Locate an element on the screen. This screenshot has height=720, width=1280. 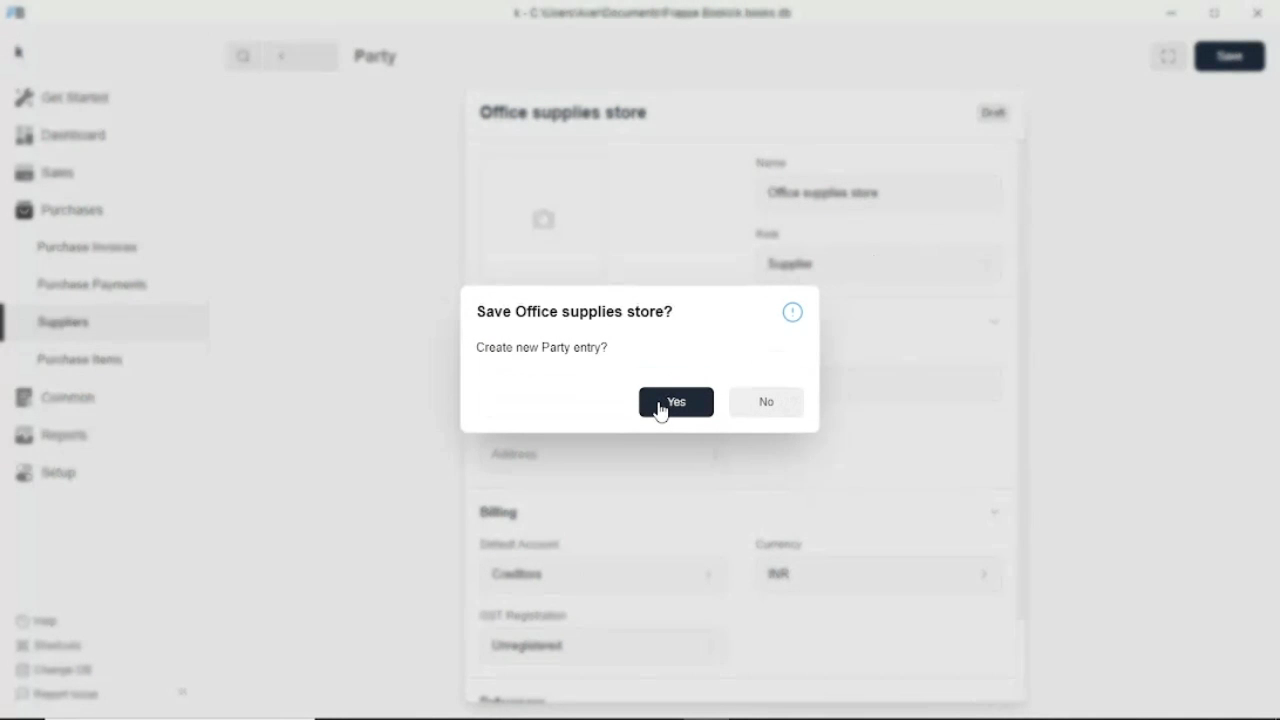
Back is located at coordinates (286, 56).